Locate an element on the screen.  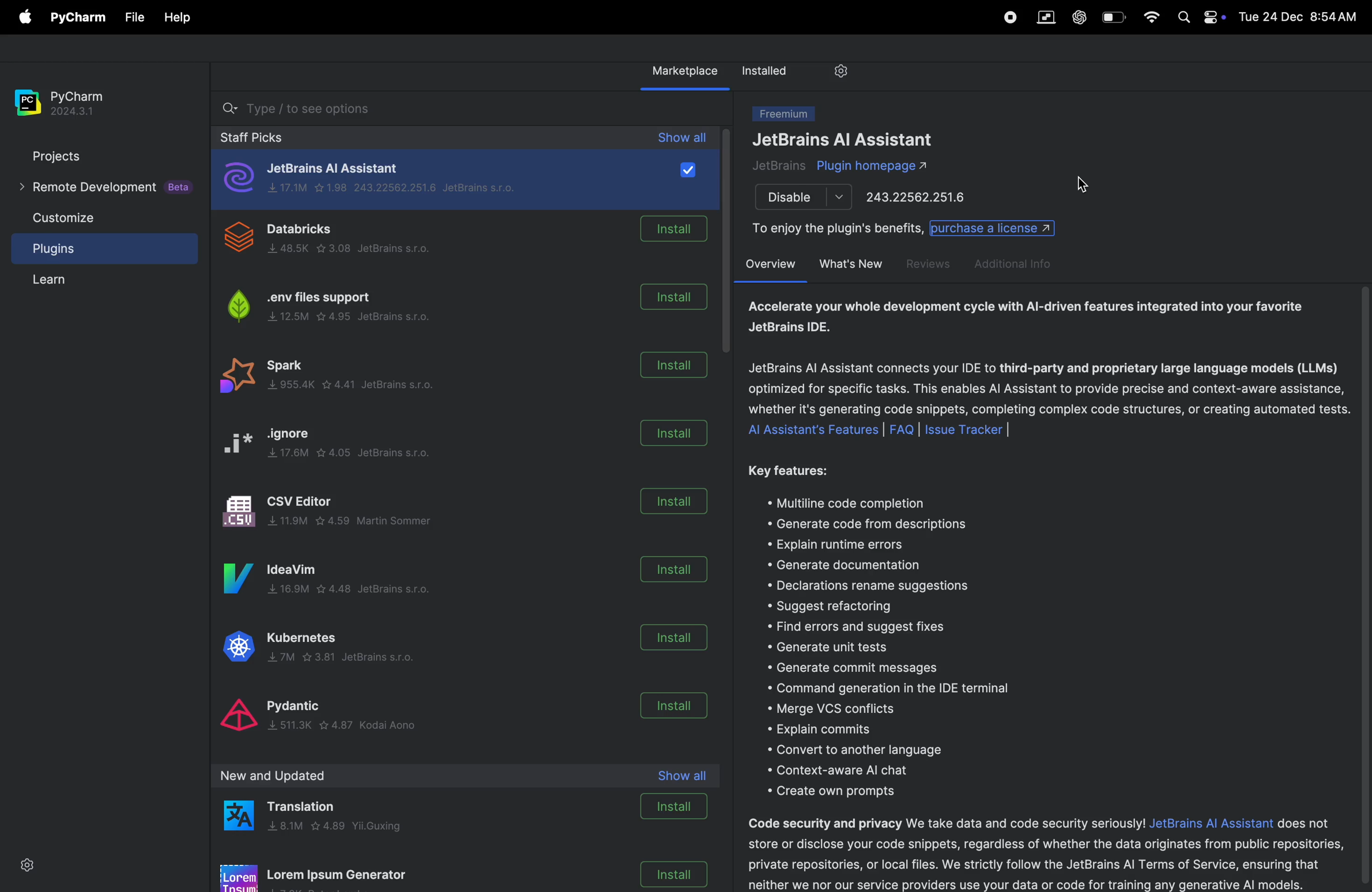
over view is located at coordinates (771, 266).